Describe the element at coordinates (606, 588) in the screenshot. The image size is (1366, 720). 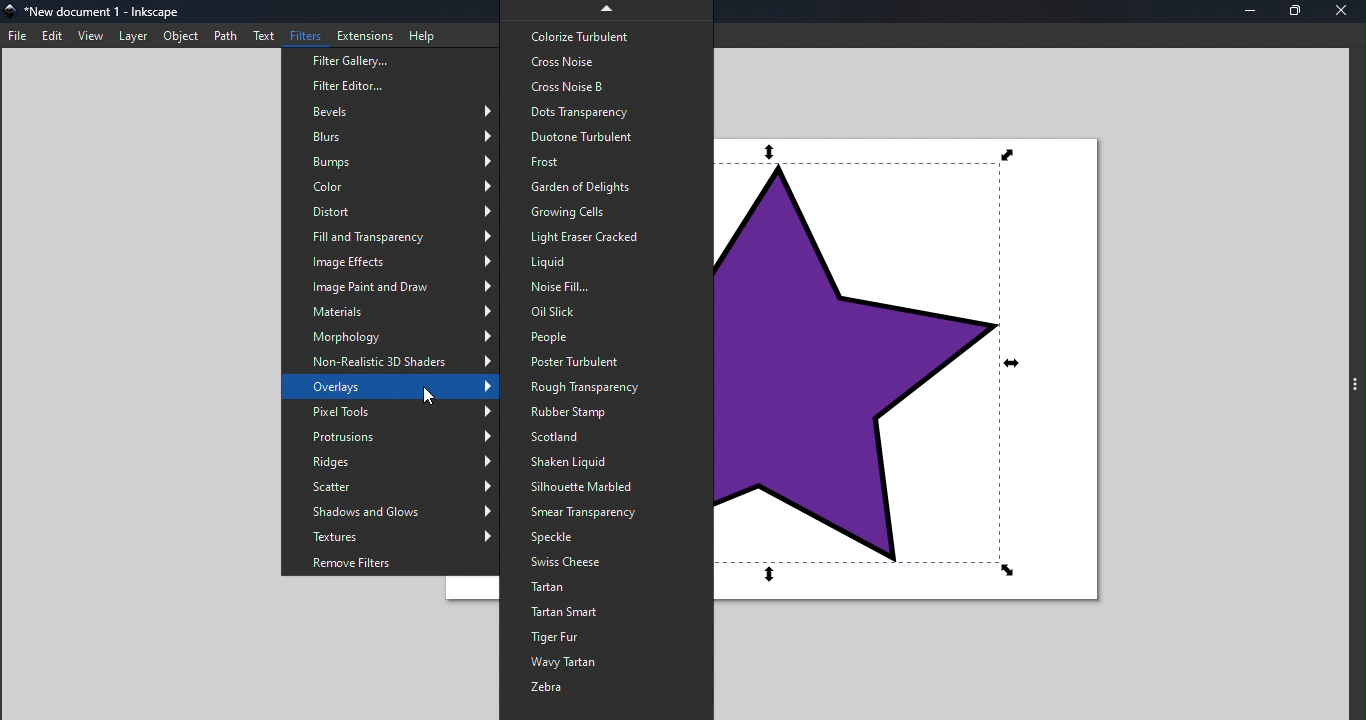
I see `Tartan` at that location.